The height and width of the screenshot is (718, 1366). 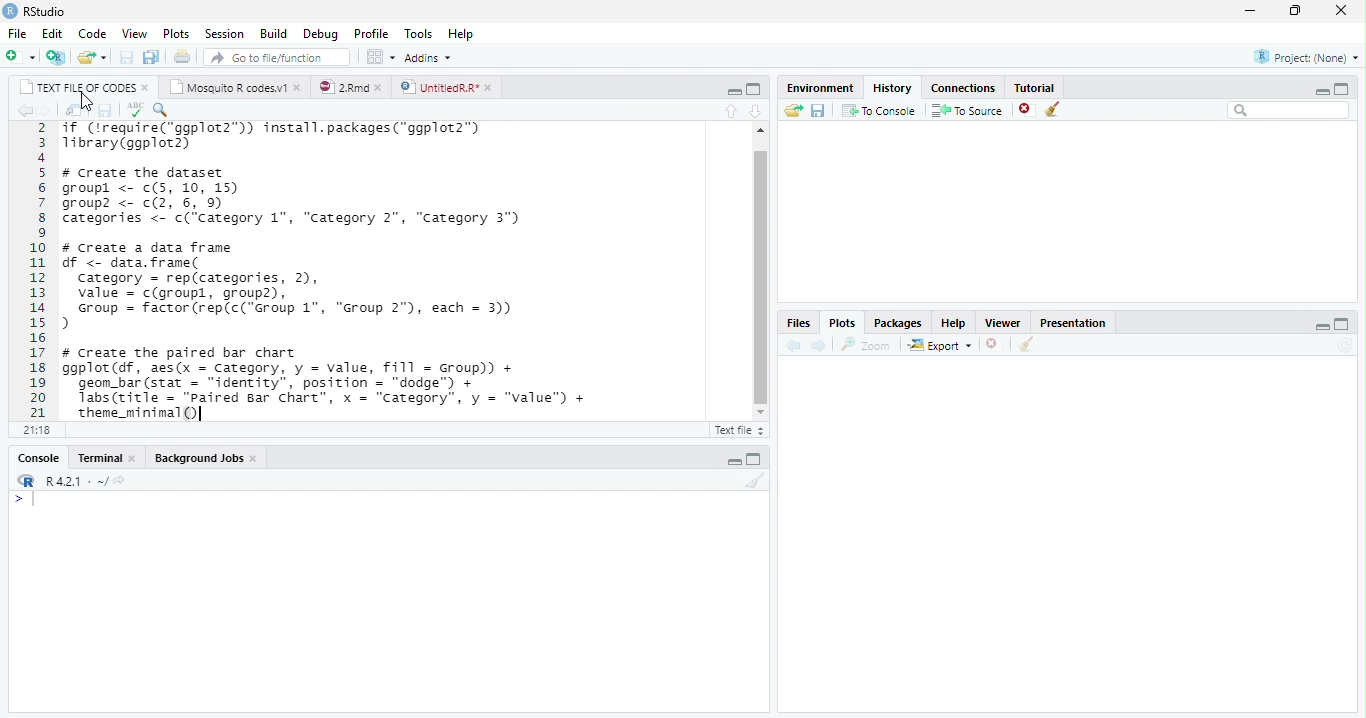 I want to click on scroll up, so click(x=761, y=130).